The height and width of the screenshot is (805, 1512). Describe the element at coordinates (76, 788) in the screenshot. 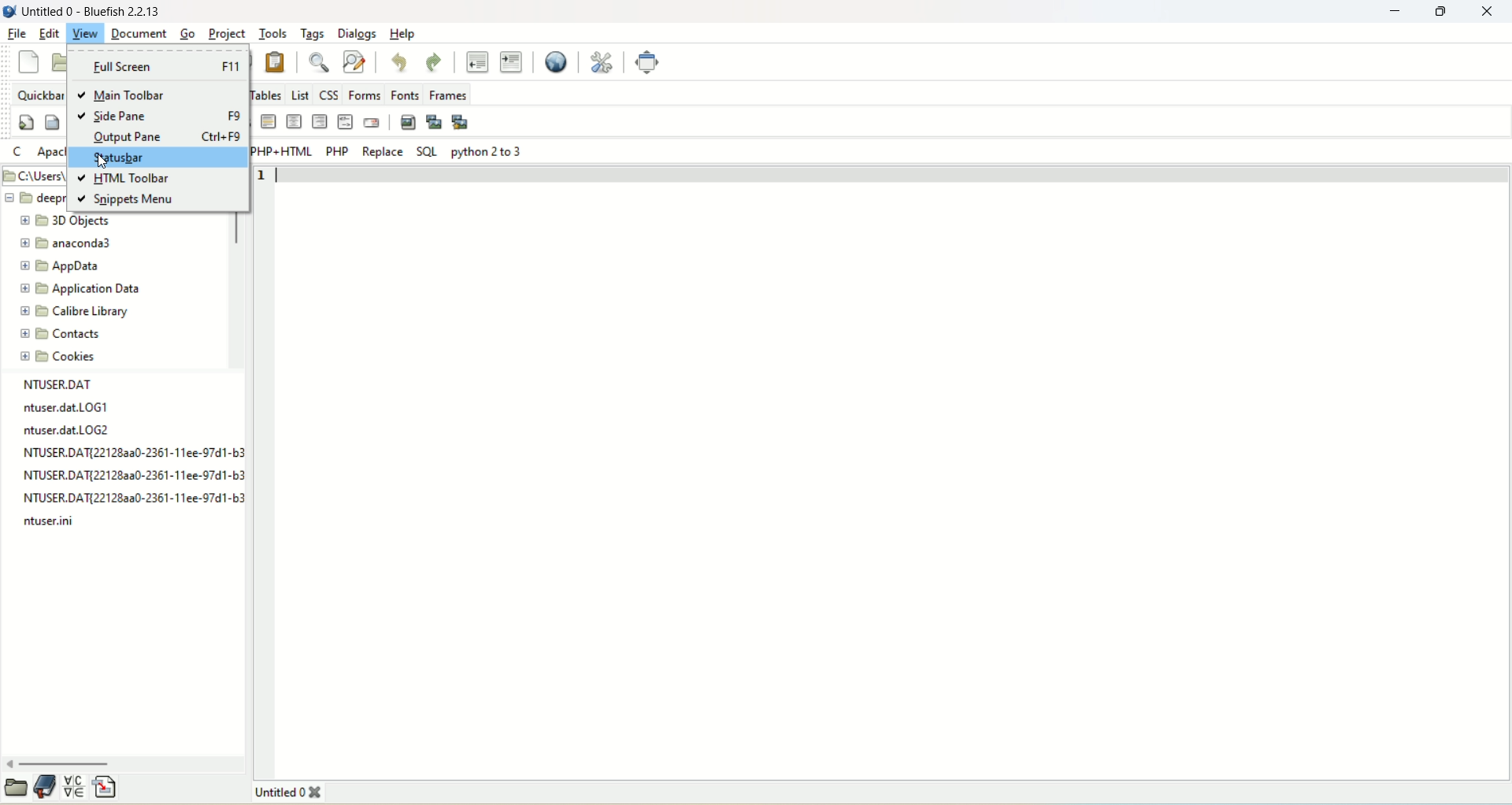

I see `insert special character` at that location.